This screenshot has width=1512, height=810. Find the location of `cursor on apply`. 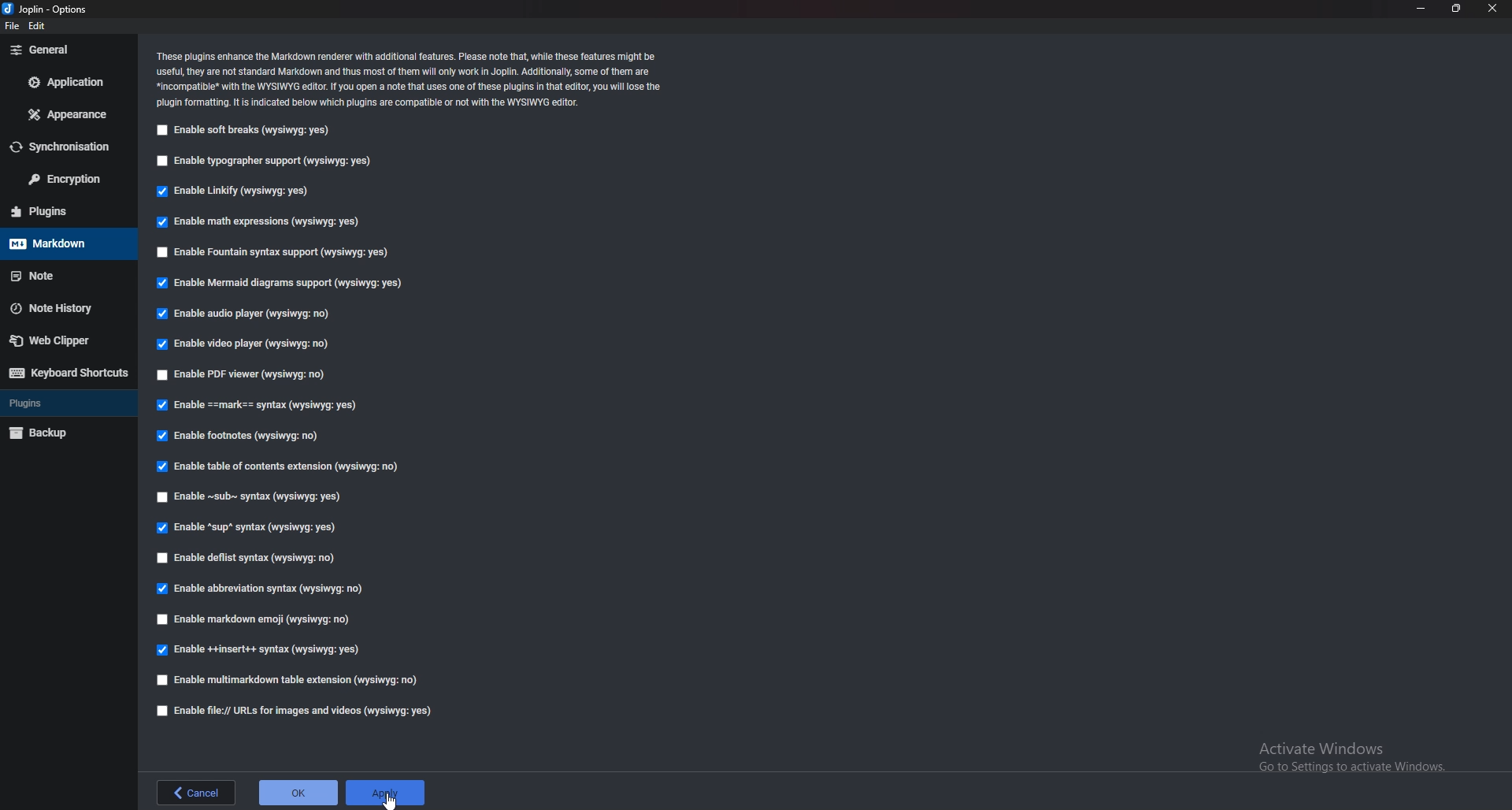

cursor on apply is located at coordinates (385, 794).